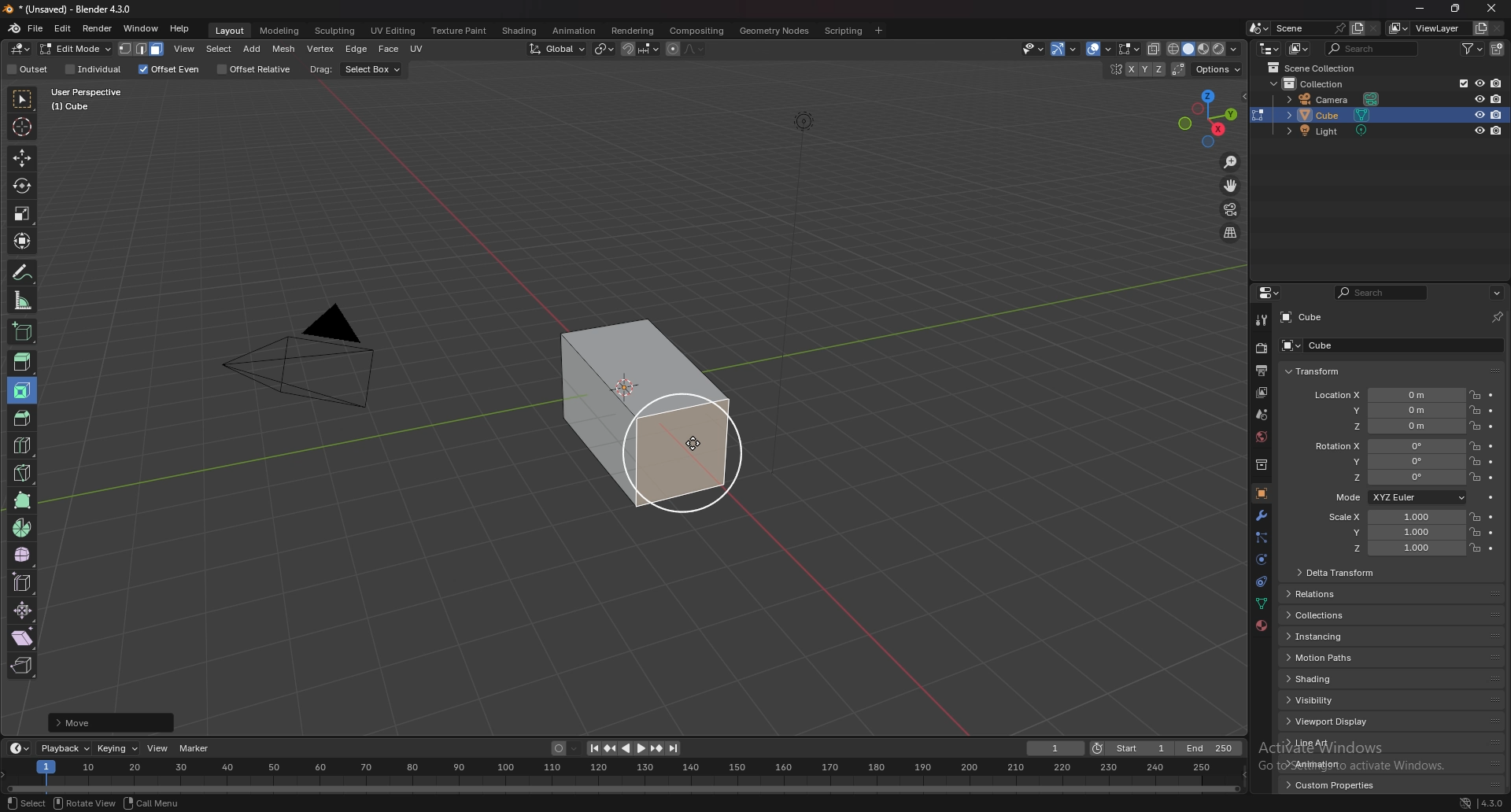  Describe the element at coordinates (1493, 549) in the screenshot. I see `animate property` at that location.